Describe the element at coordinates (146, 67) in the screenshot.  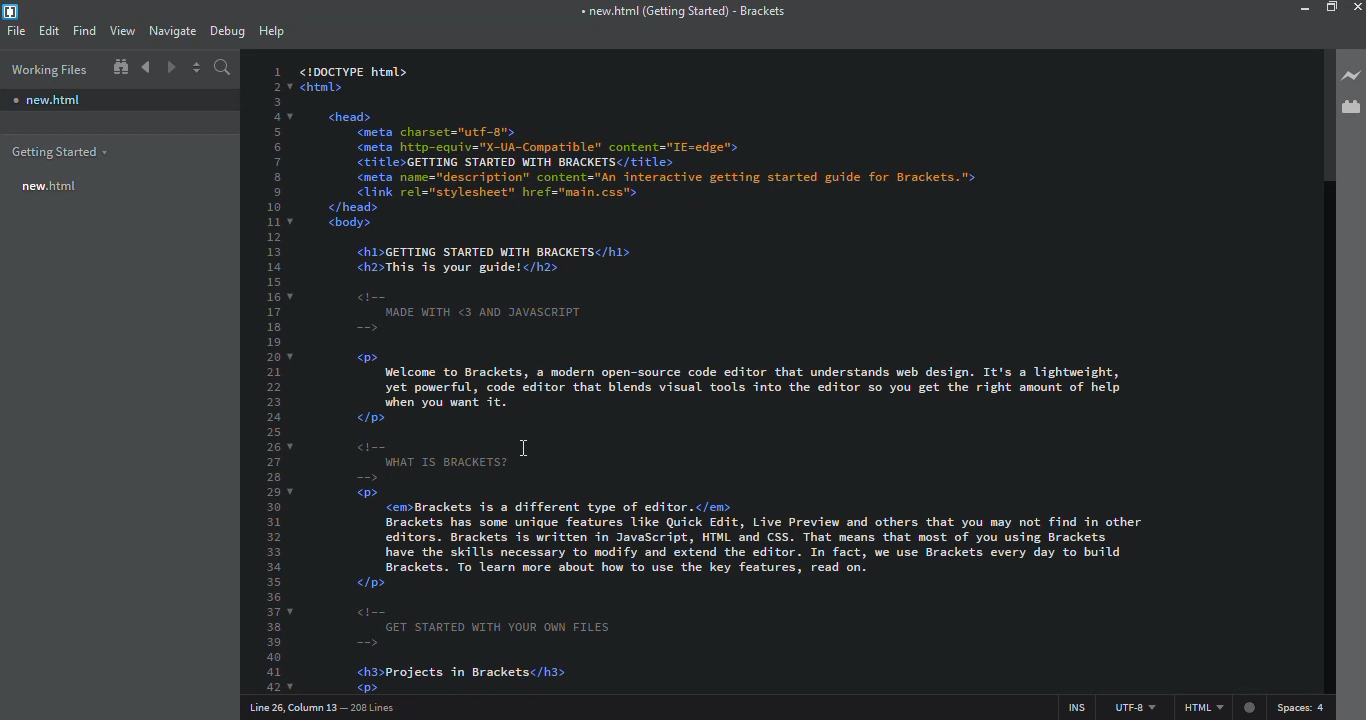
I see `navigate back` at that location.